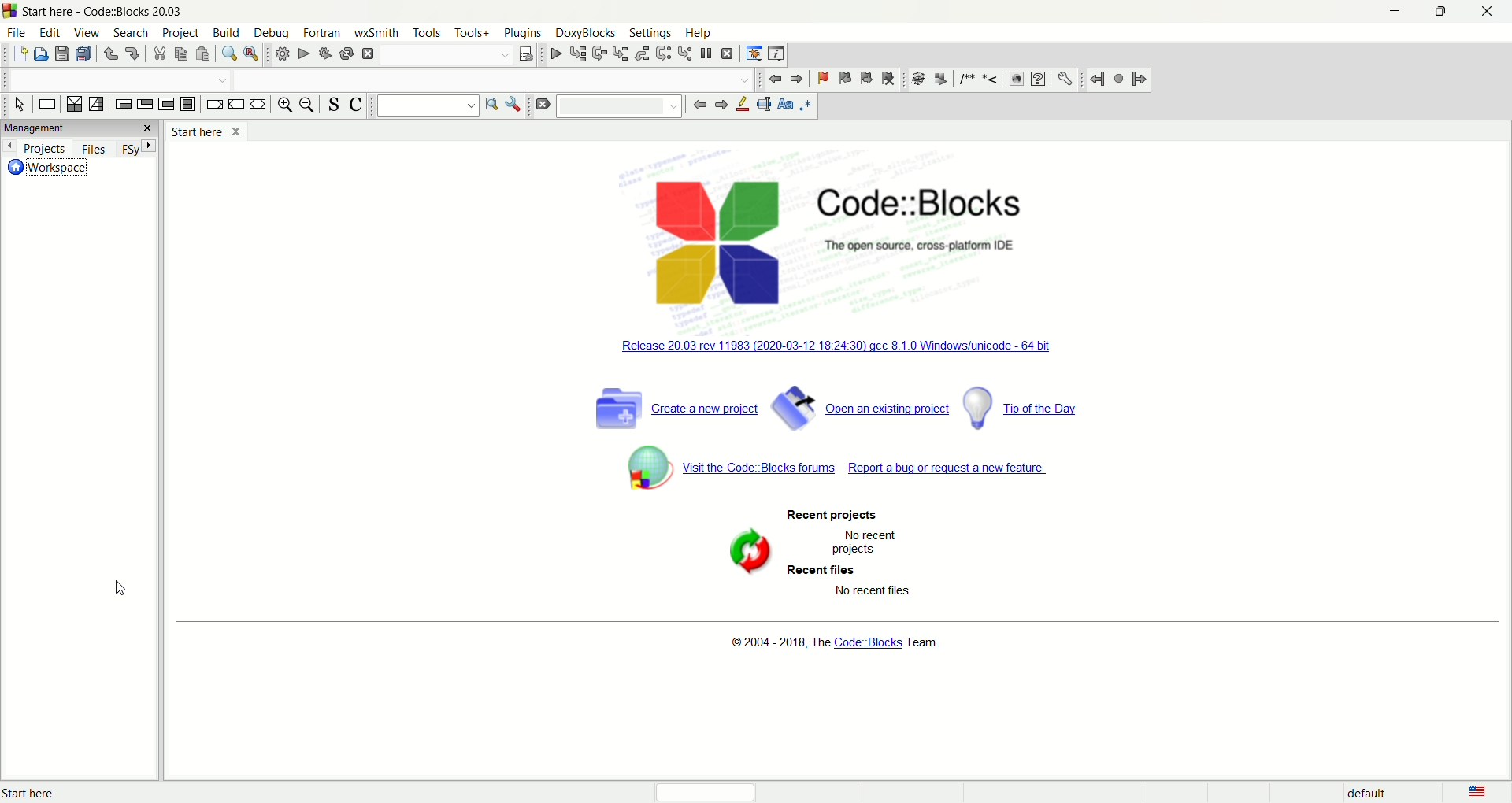  Describe the element at coordinates (1065, 80) in the screenshot. I see `settings` at that location.